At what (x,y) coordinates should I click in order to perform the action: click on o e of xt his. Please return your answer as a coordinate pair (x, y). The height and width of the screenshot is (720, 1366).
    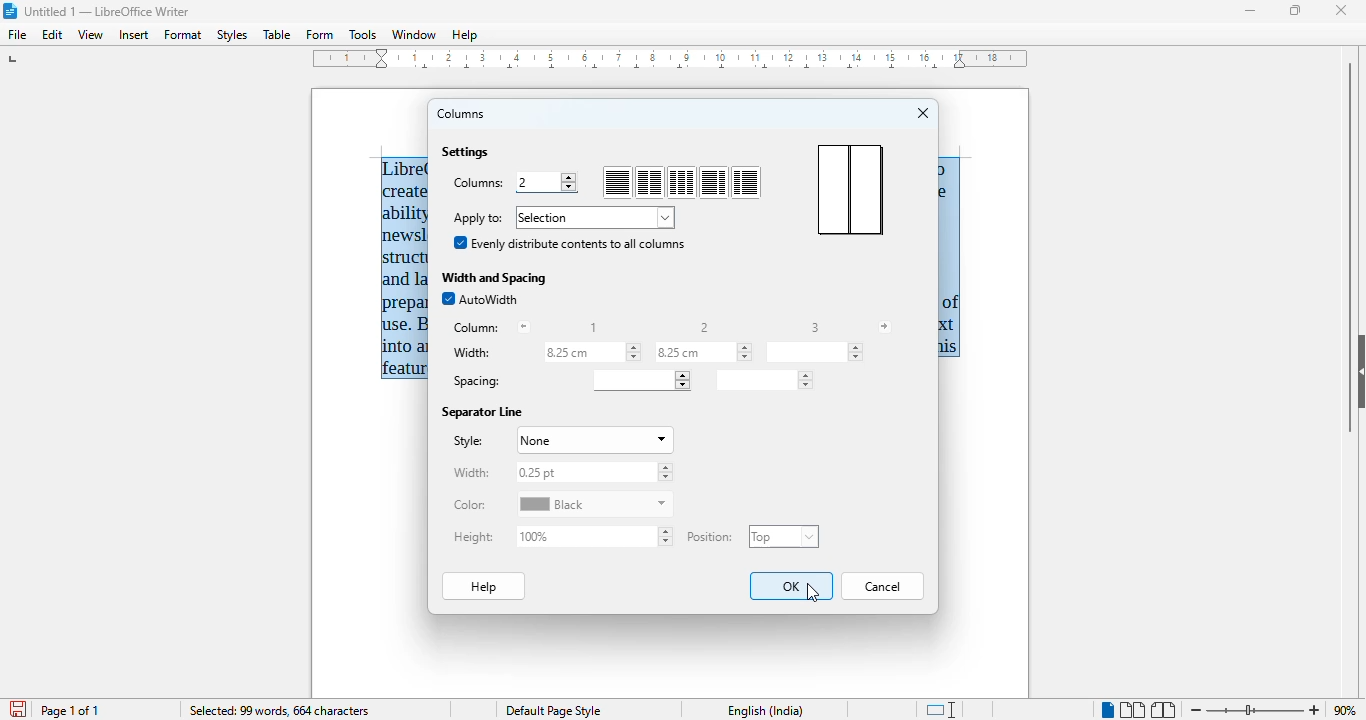
    Looking at the image, I should click on (950, 259).